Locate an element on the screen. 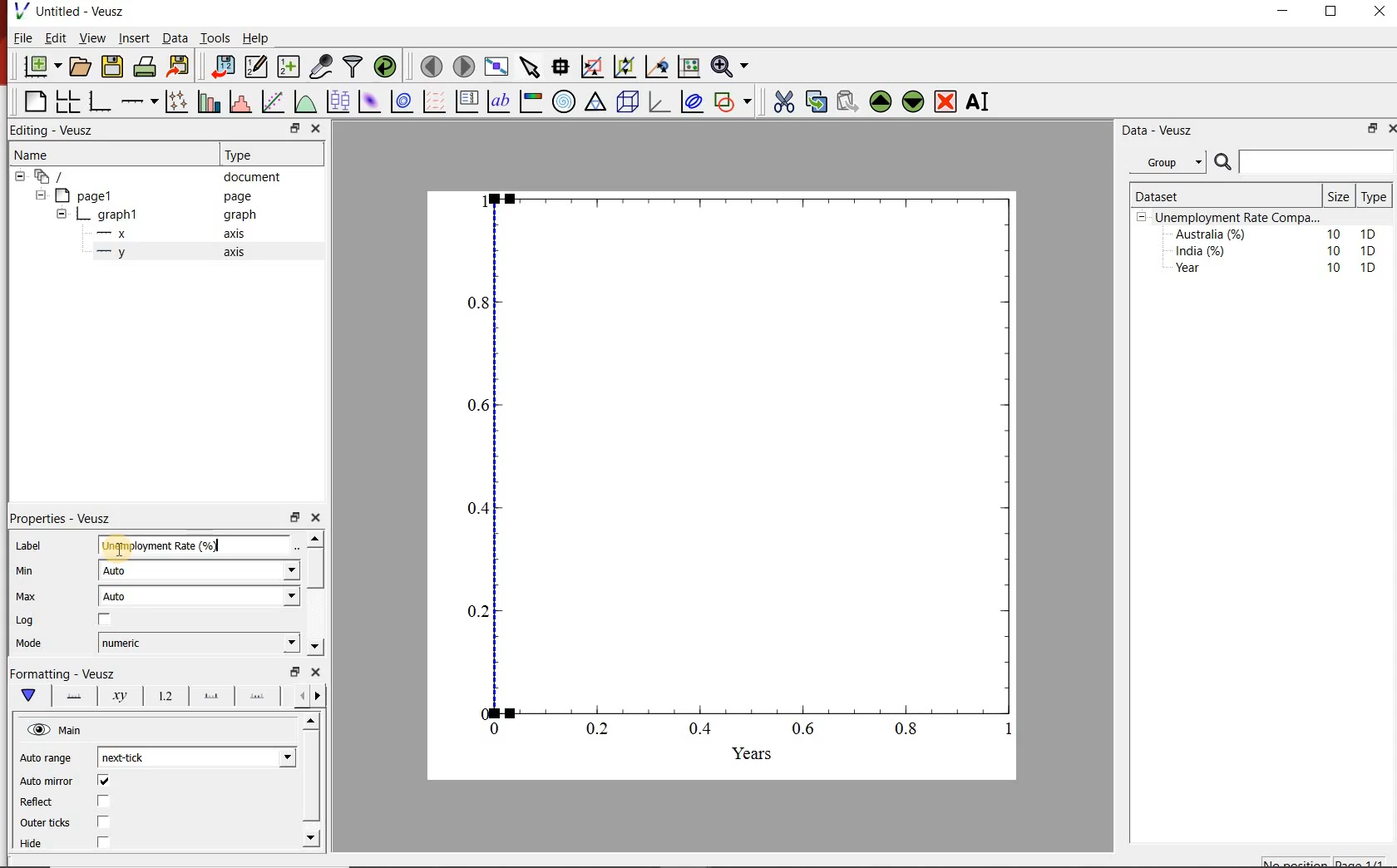 The image size is (1397, 868). read the data points is located at coordinates (562, 66).